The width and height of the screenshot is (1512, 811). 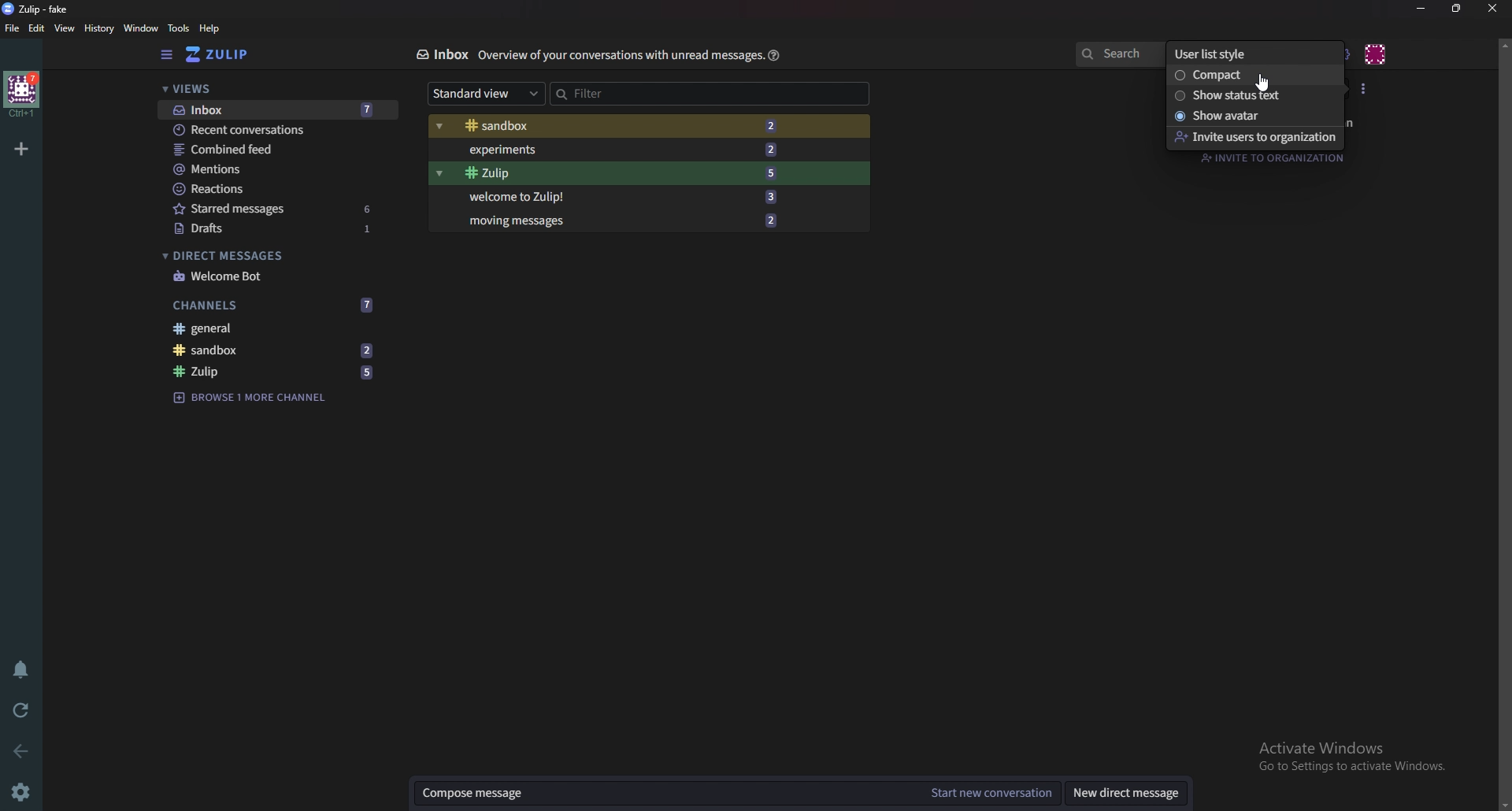 What do you see at coordinates (17, 752) in the screenshot?
I see `Back` at bounding box center [17, 752].